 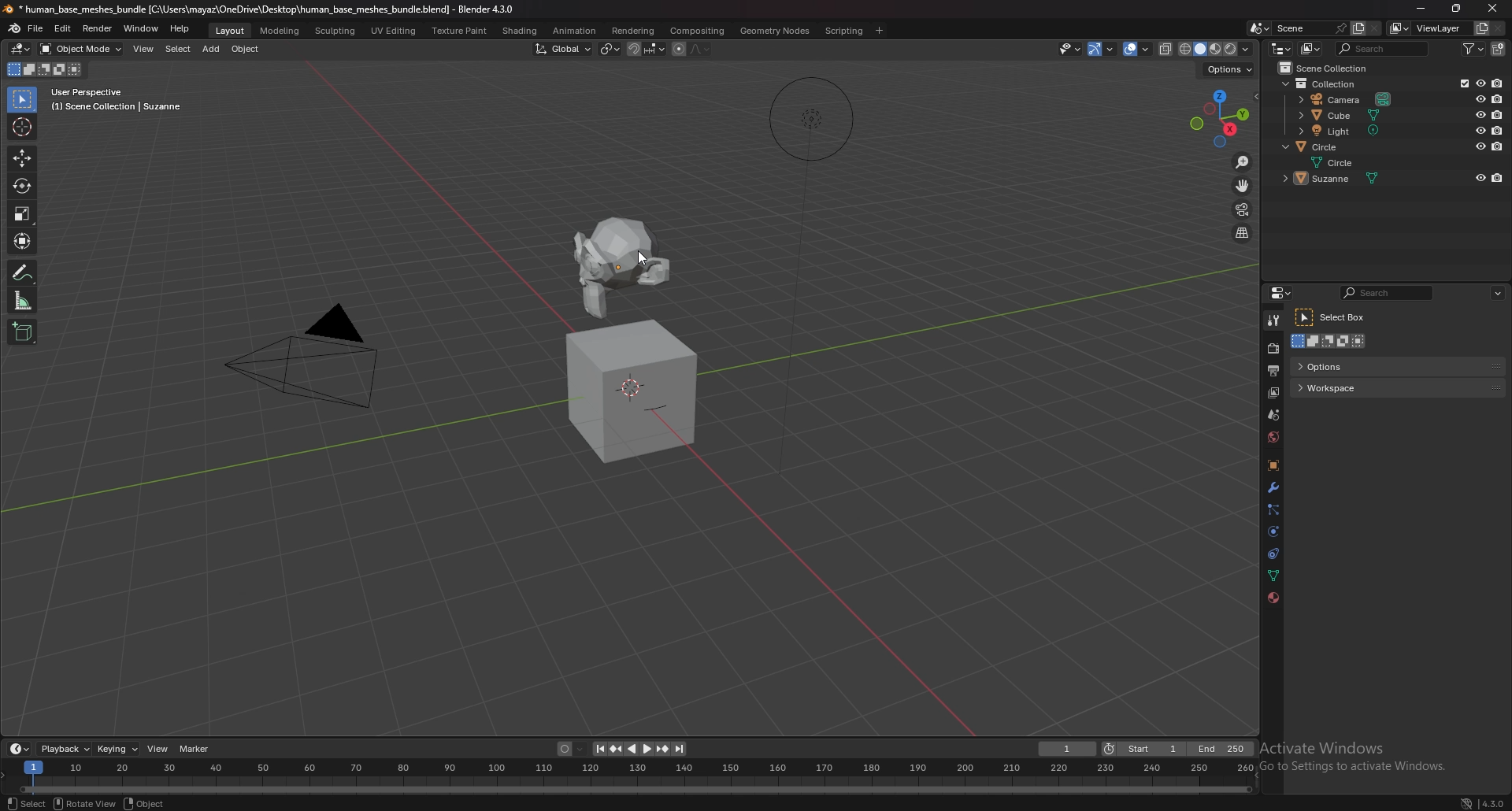 I want to click on circle, so click(x=1345, y=161).